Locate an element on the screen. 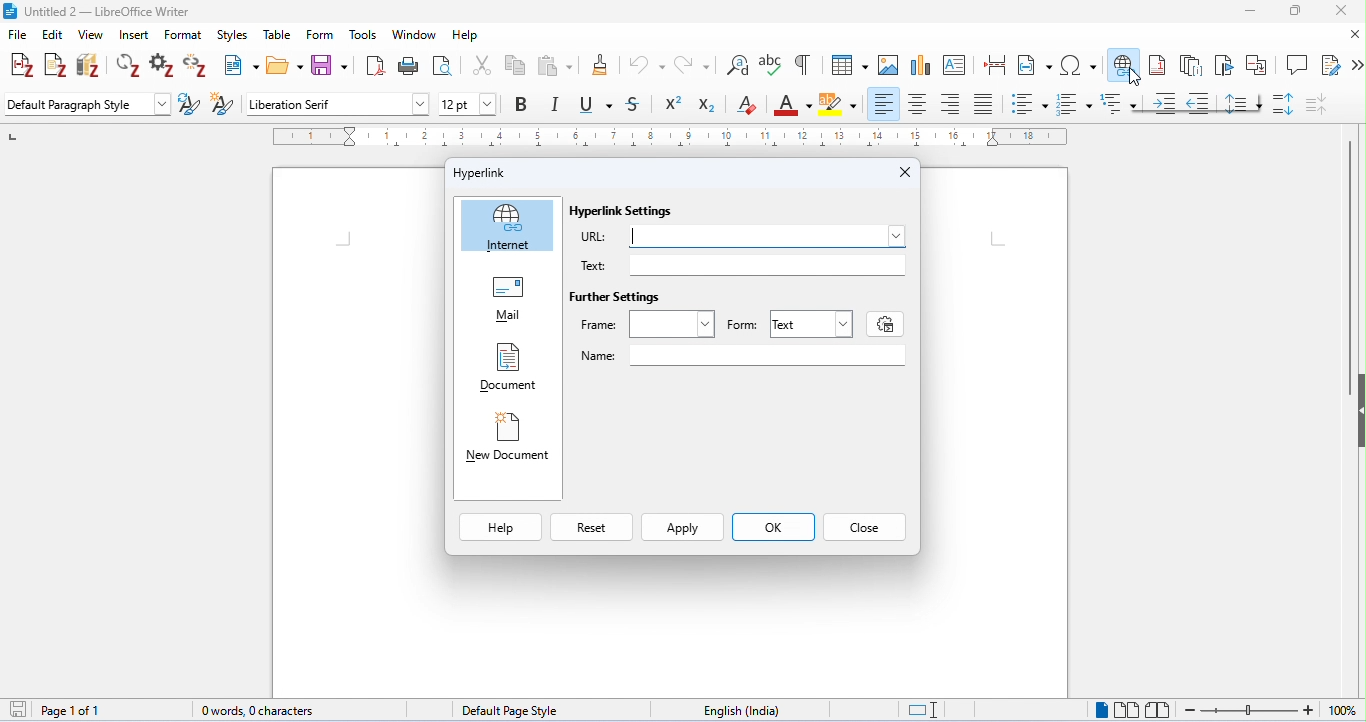 This screenshot has width=1366, height=722. show track changes function is located at coordinates (1332, 64).